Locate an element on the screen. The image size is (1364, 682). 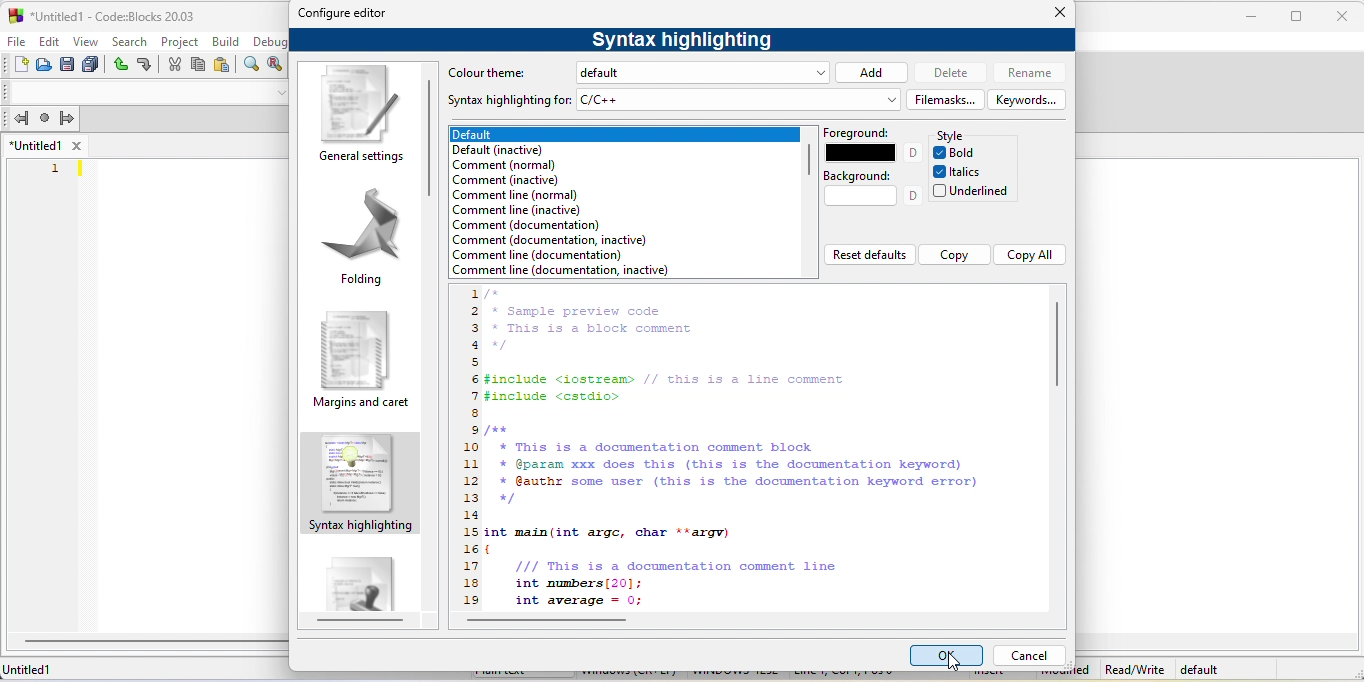
comment documentation is located at coordinates (529, 225).